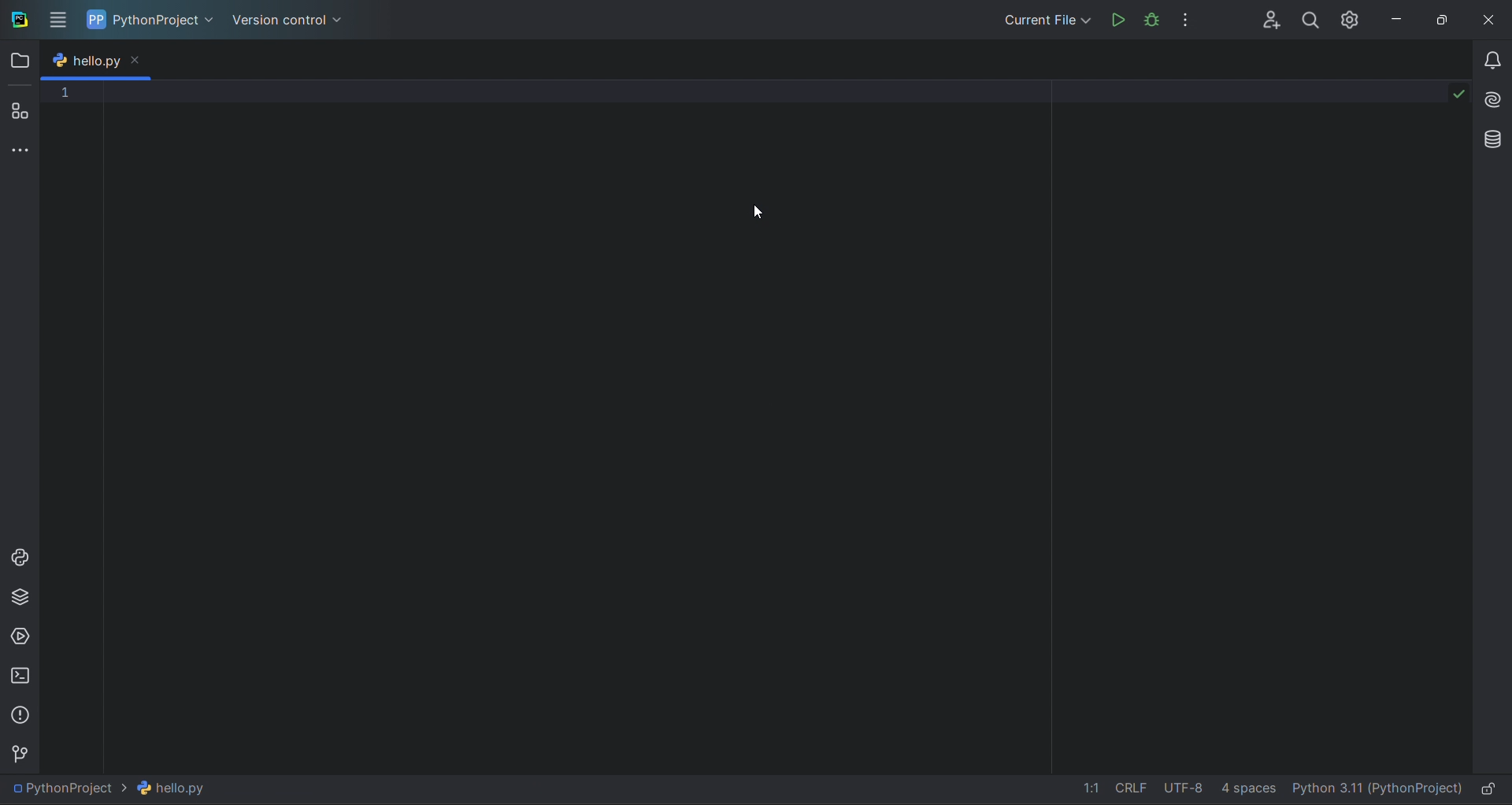 The image size is (1512, 805). I want to click on debug, so click(1153, 20).